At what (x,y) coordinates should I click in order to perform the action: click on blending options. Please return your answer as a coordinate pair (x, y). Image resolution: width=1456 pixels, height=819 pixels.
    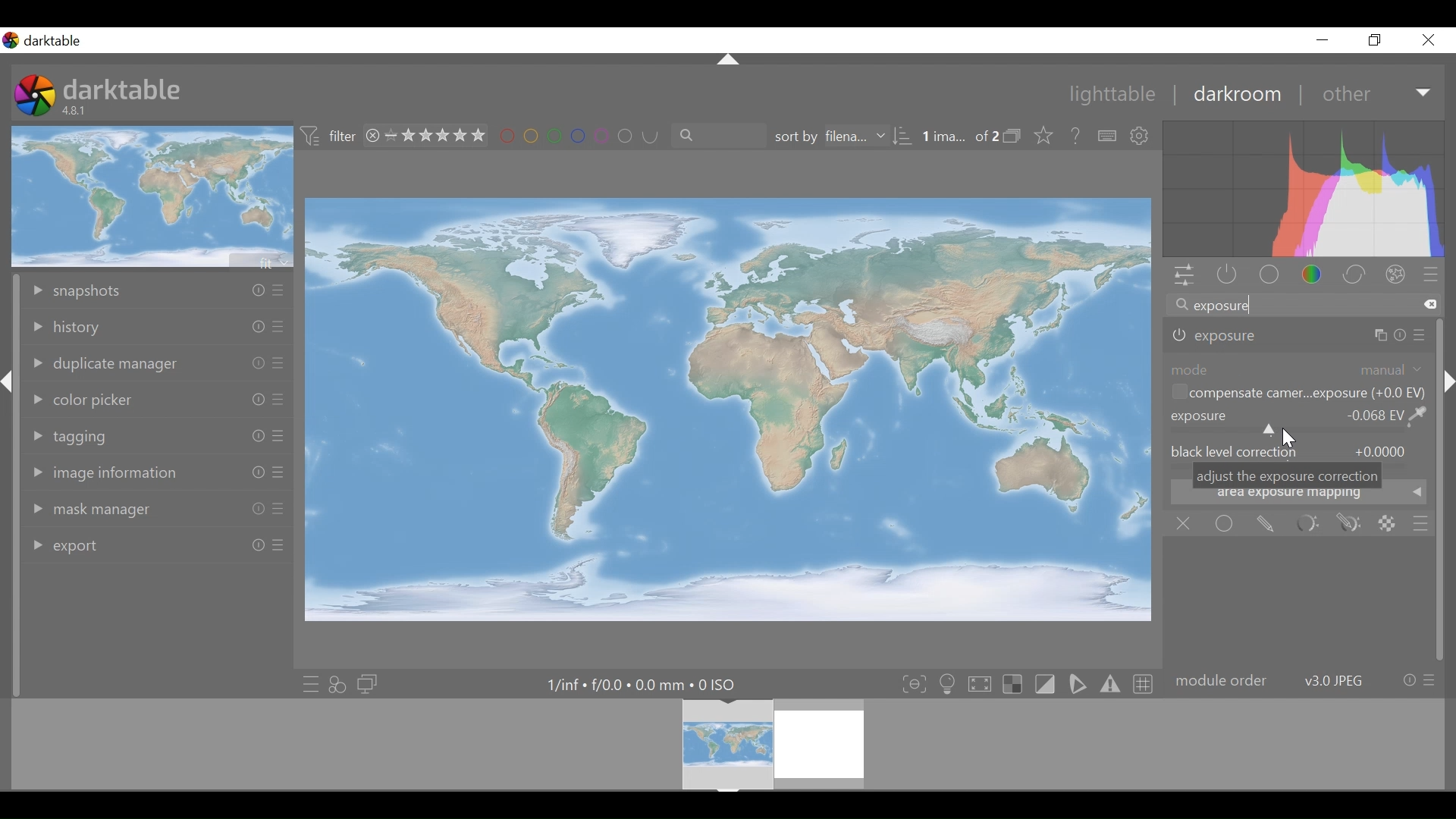
    Looking at the image, I should click on (1422, 523).